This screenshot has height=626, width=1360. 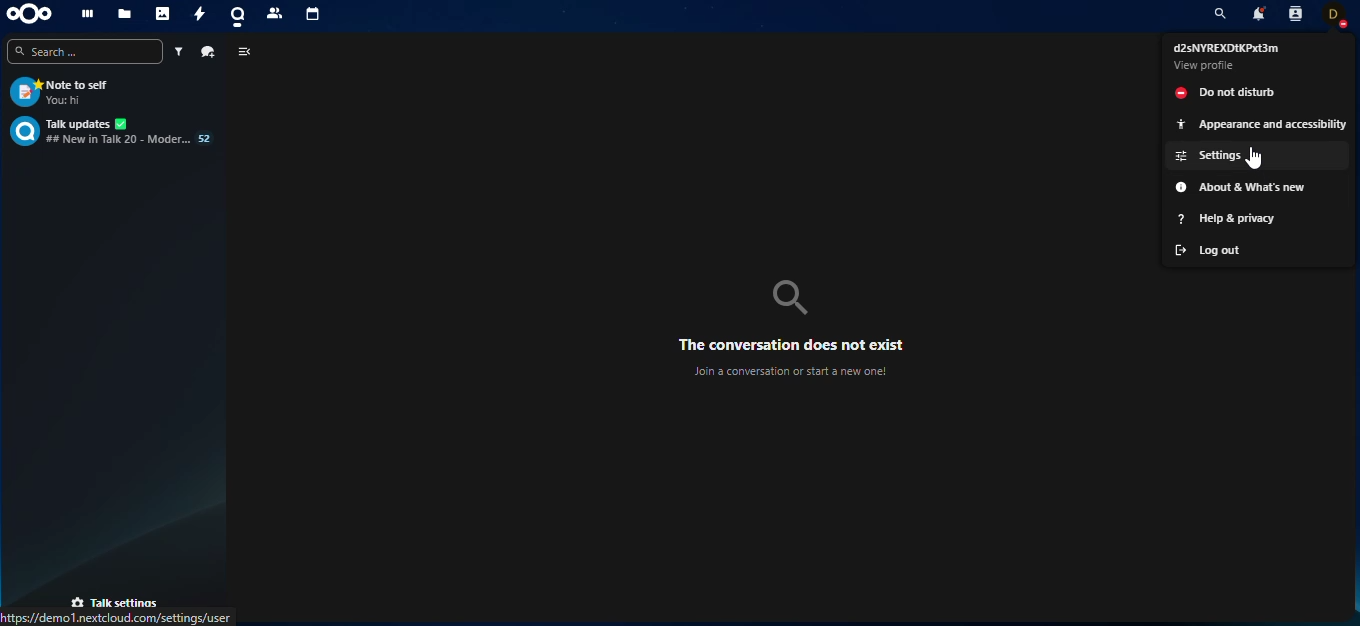 I want to click on account, so click(x=1334, y=16).